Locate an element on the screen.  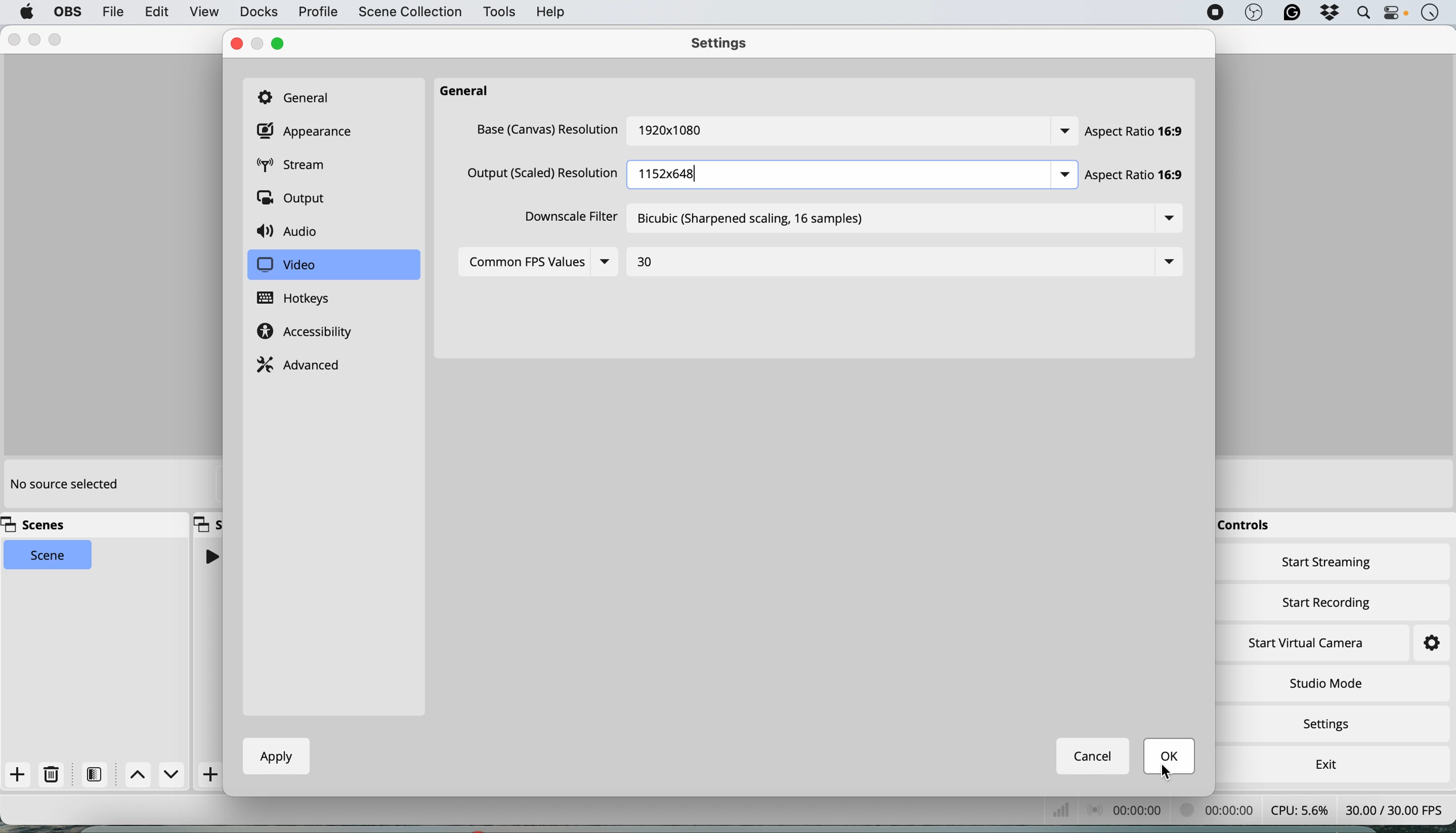
controls is located at coordinates (1248, 526).